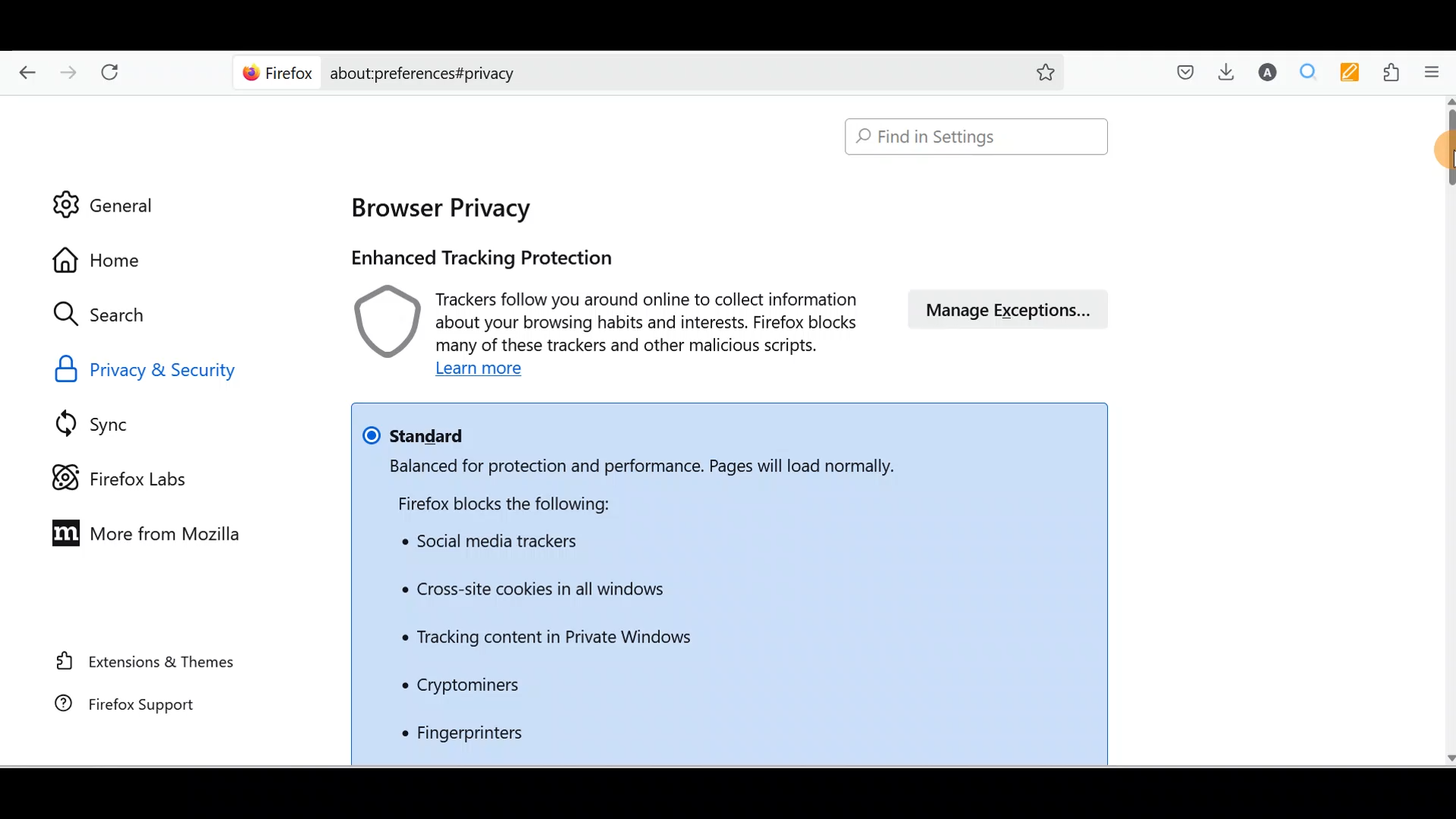 This screenshot has width=1456, height=819. Describe the element at coordinates (419, 433) in the screenshot. I see `Standard Firefox Blockers` at that location.